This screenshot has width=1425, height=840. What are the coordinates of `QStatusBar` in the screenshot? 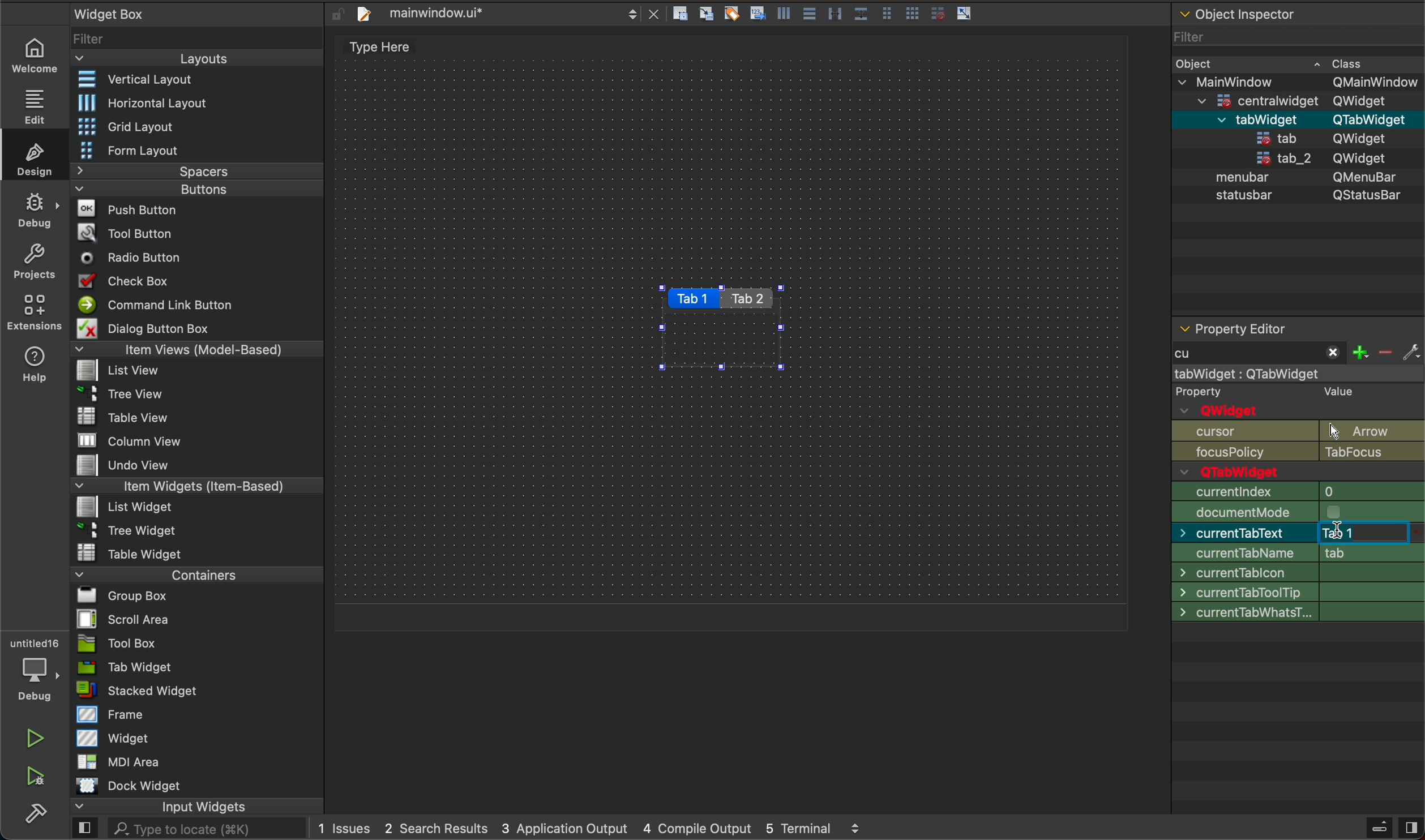 It's located at (1356, 195).